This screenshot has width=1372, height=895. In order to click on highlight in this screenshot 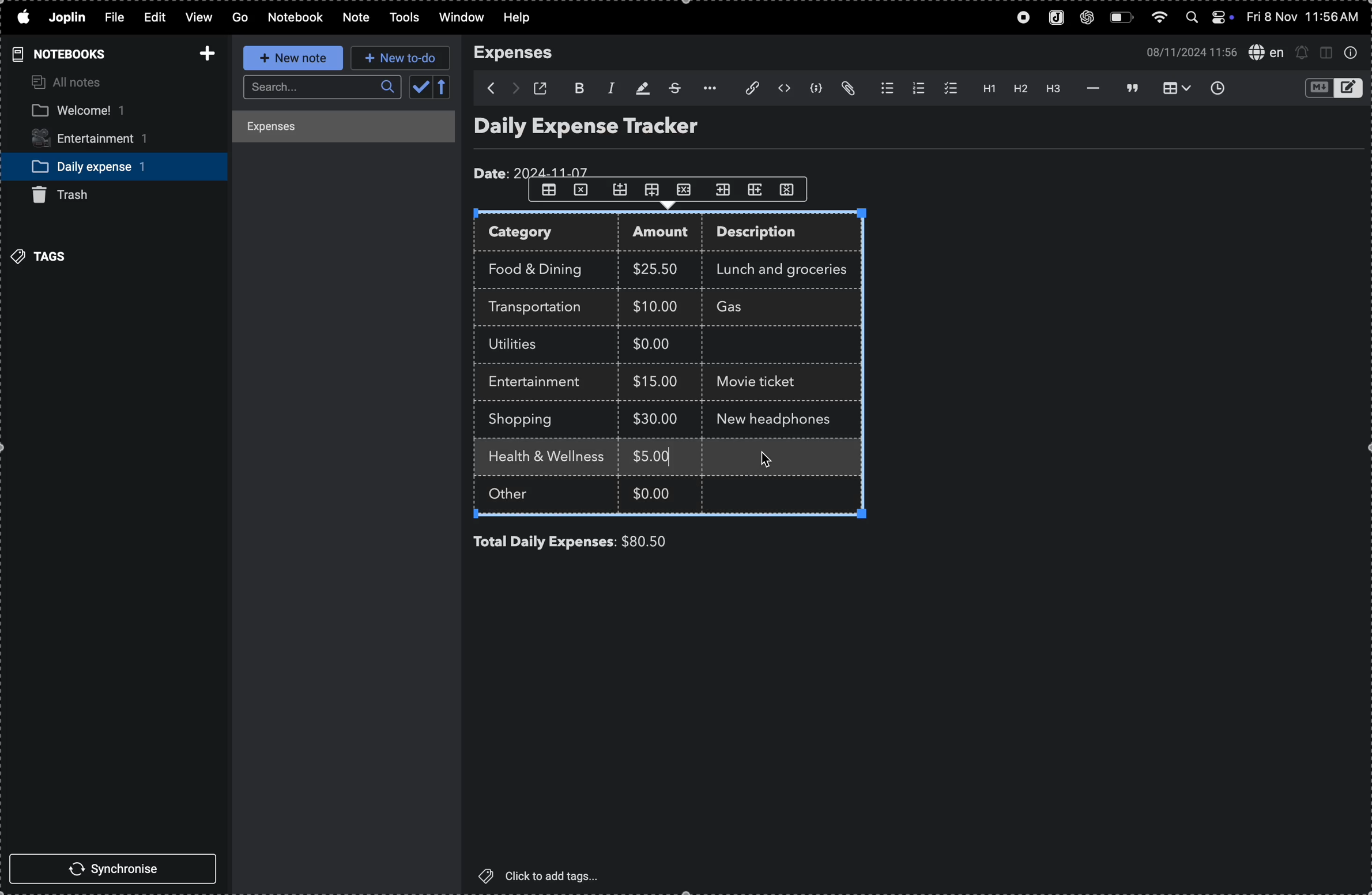, I will do `click(640, 87)`.